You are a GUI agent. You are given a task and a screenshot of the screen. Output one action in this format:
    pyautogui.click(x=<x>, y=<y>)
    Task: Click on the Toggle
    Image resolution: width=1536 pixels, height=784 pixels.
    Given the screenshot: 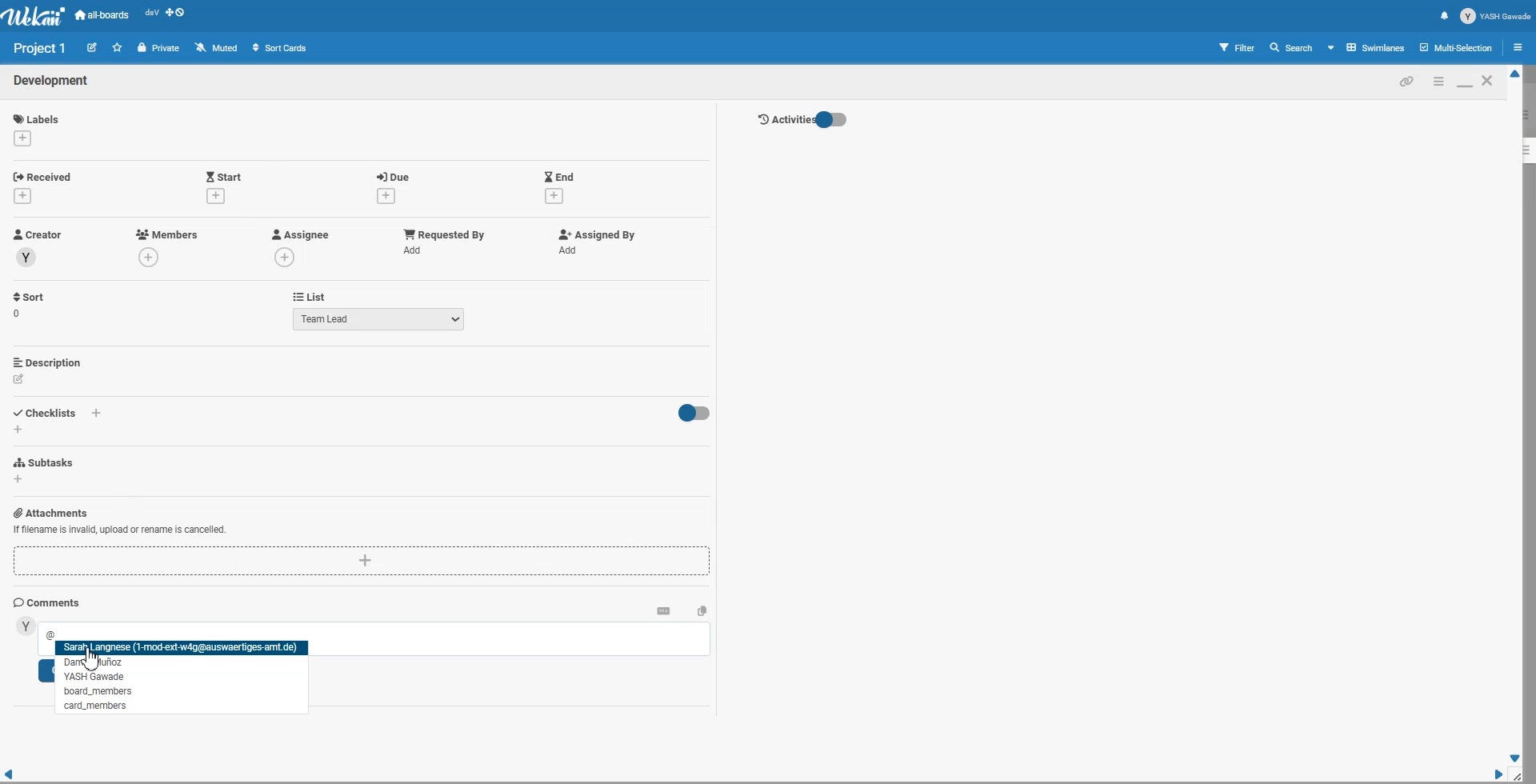 What is the action you would take?
    pyautogui.click(x=692, y=414)
    